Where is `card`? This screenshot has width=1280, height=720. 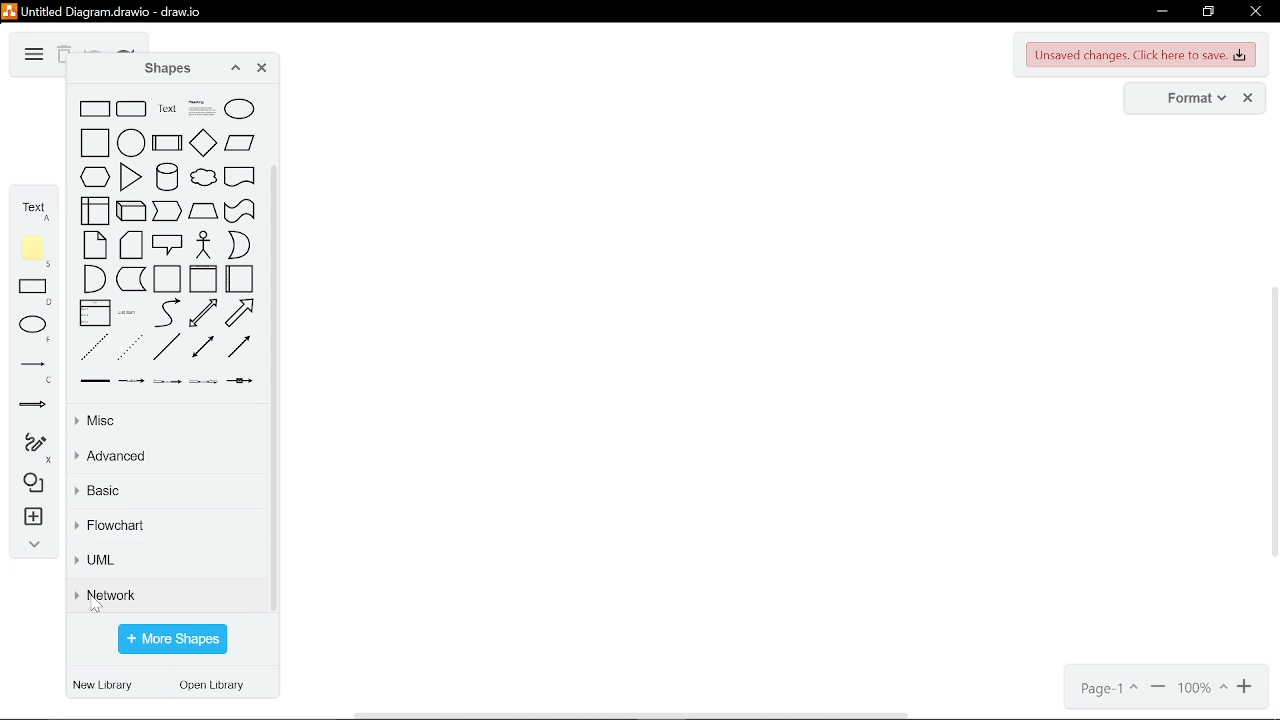
card is located at coordinates (131, 245).